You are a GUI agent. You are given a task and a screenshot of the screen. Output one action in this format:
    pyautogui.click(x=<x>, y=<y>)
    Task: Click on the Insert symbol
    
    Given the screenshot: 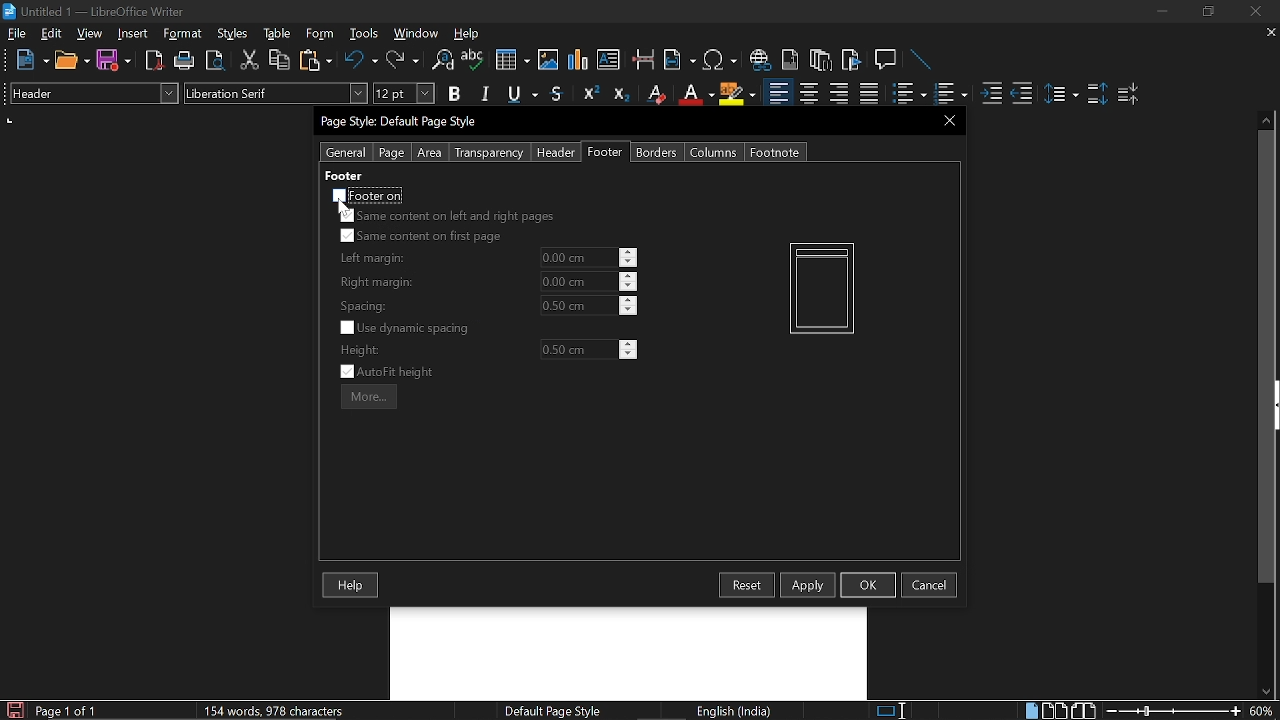 What is the action you would take?
    pyautogui.click(x=722, y=60)
    